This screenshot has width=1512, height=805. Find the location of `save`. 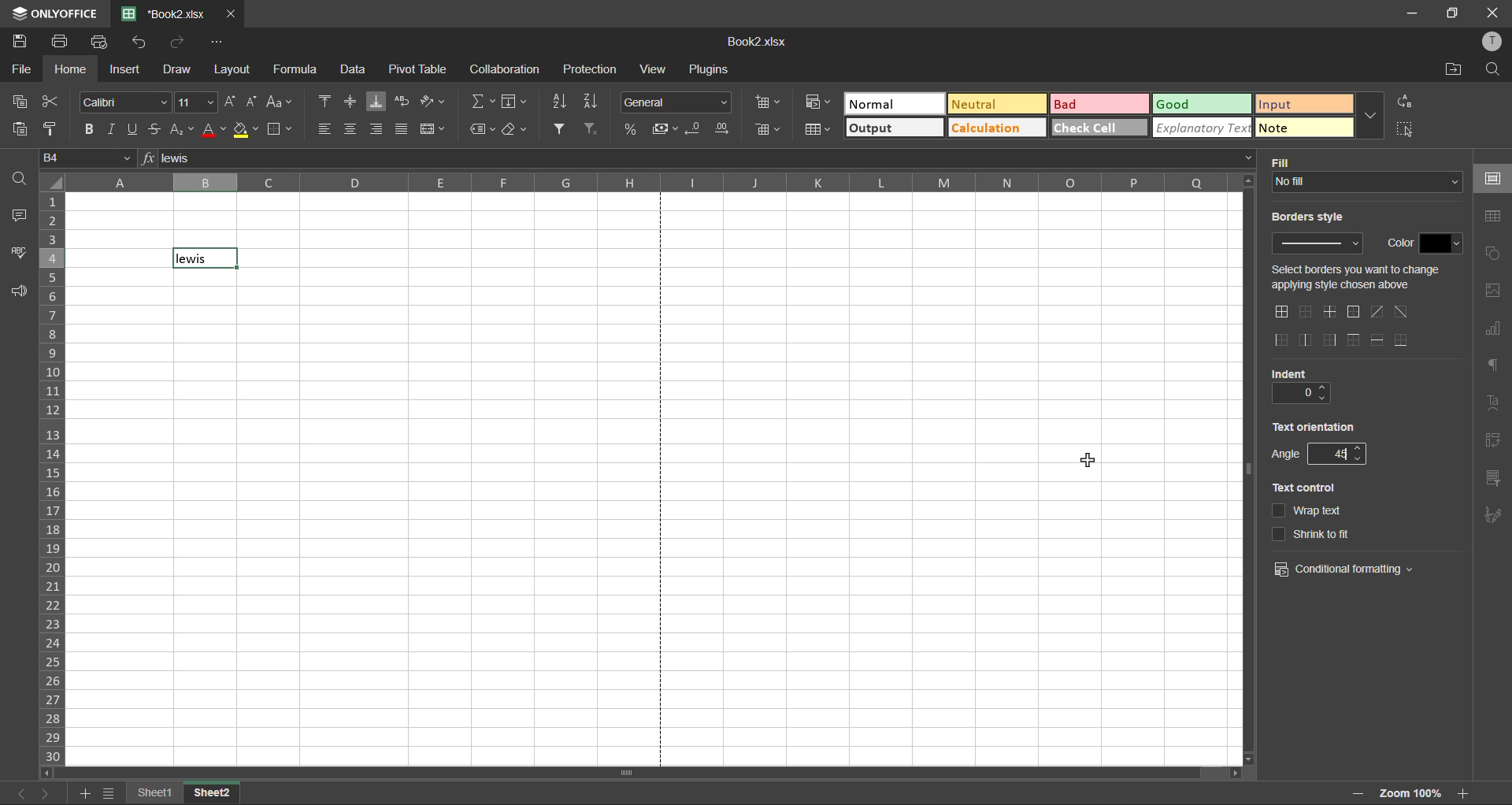

save is located at coordinates (21, 43).